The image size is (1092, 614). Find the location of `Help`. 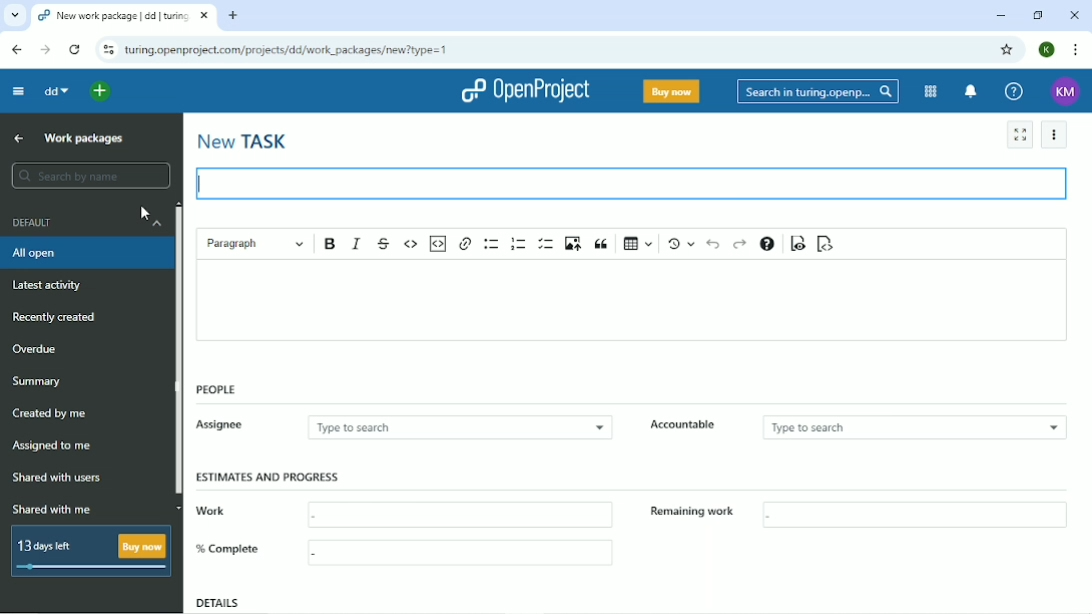

Help is located at coordinates (1014, 91).